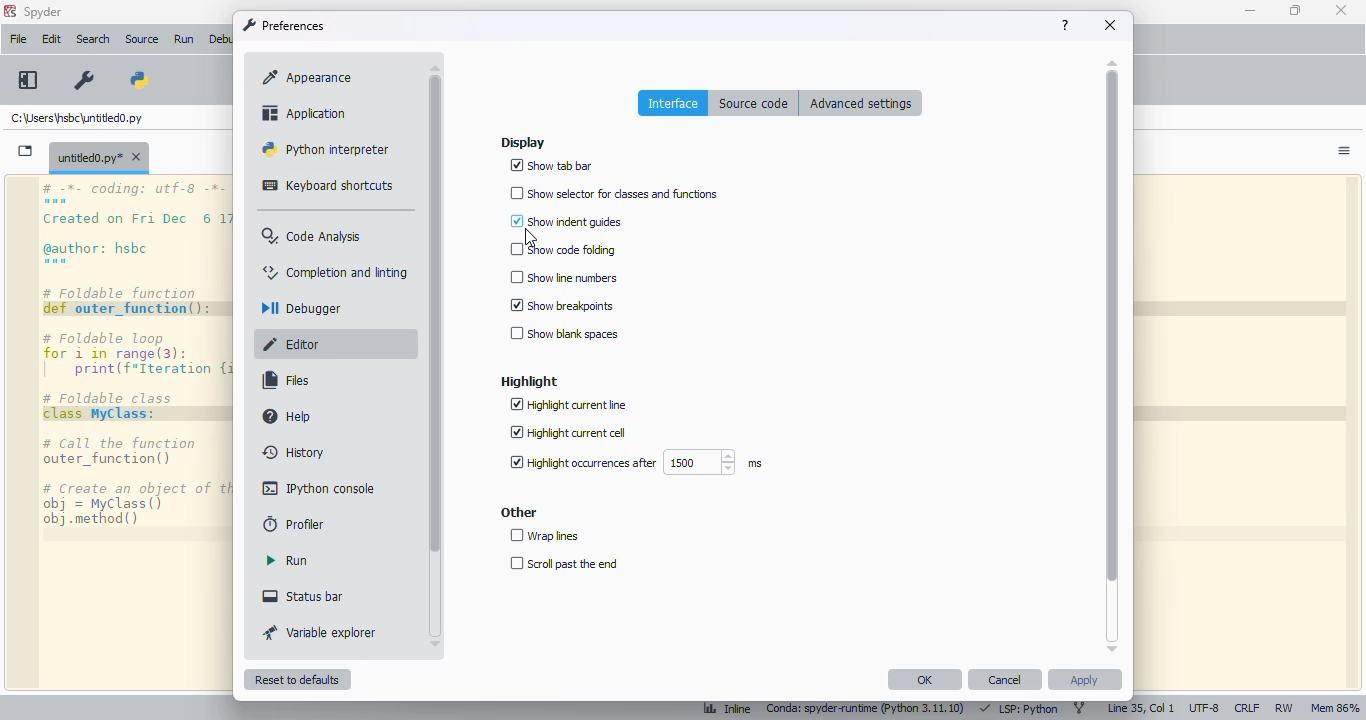 The image size is (1366, 720). I want to click on apply, so click(1085, 679).